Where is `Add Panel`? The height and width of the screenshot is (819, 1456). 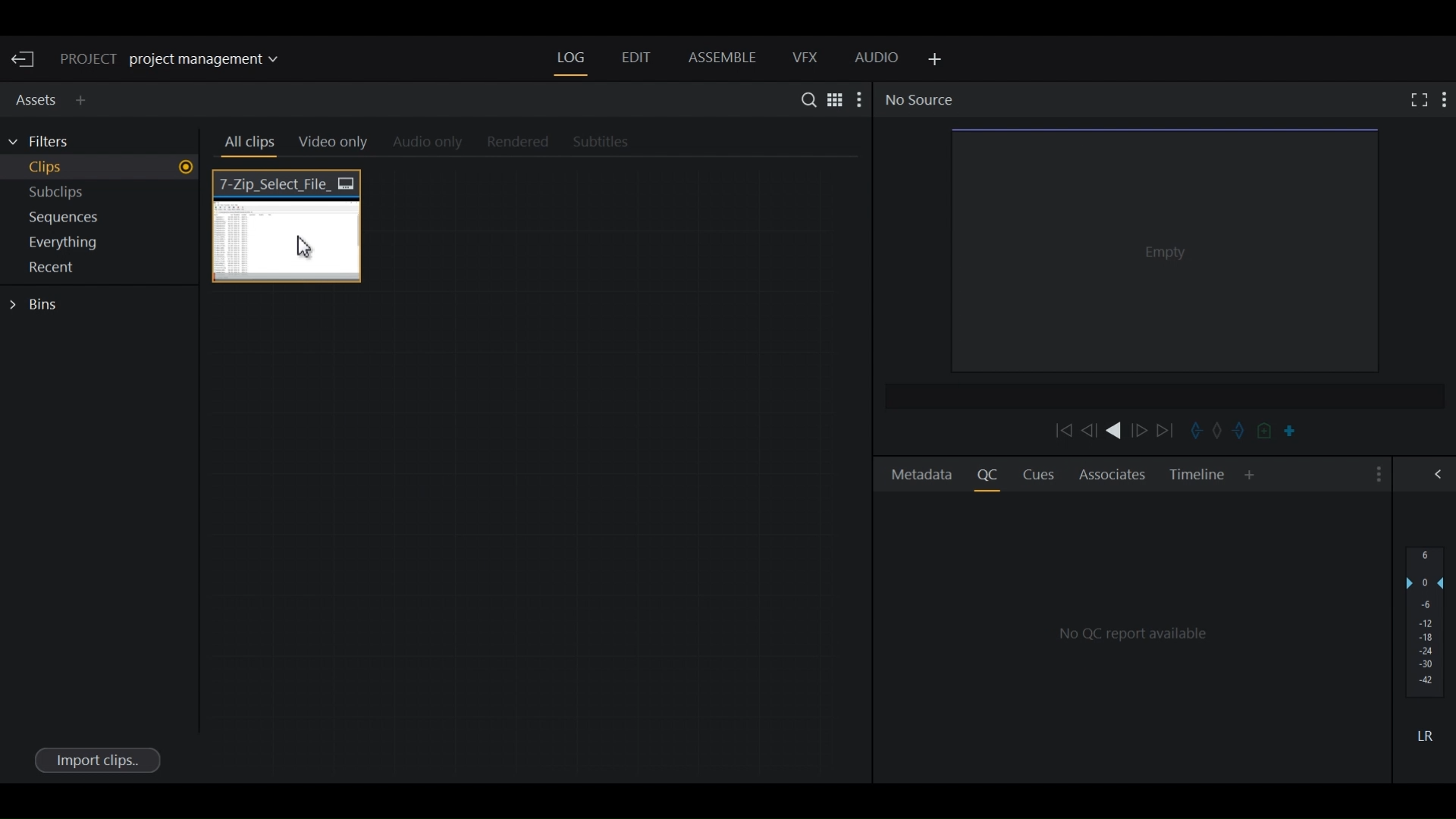 Add Panel is located at coordinates (84, 100).